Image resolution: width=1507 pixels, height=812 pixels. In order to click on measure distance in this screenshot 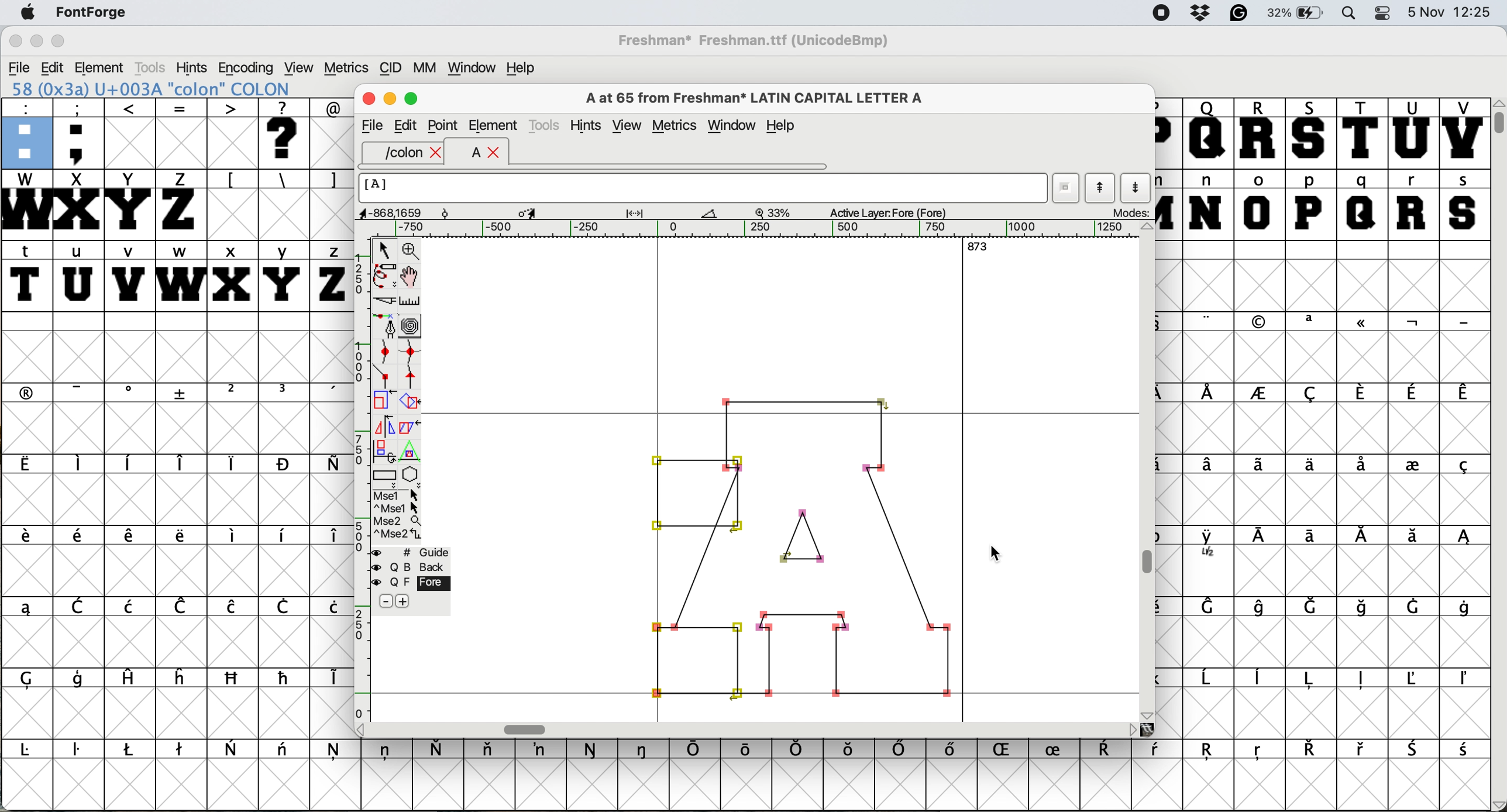, I will do `click(410, 299)`.